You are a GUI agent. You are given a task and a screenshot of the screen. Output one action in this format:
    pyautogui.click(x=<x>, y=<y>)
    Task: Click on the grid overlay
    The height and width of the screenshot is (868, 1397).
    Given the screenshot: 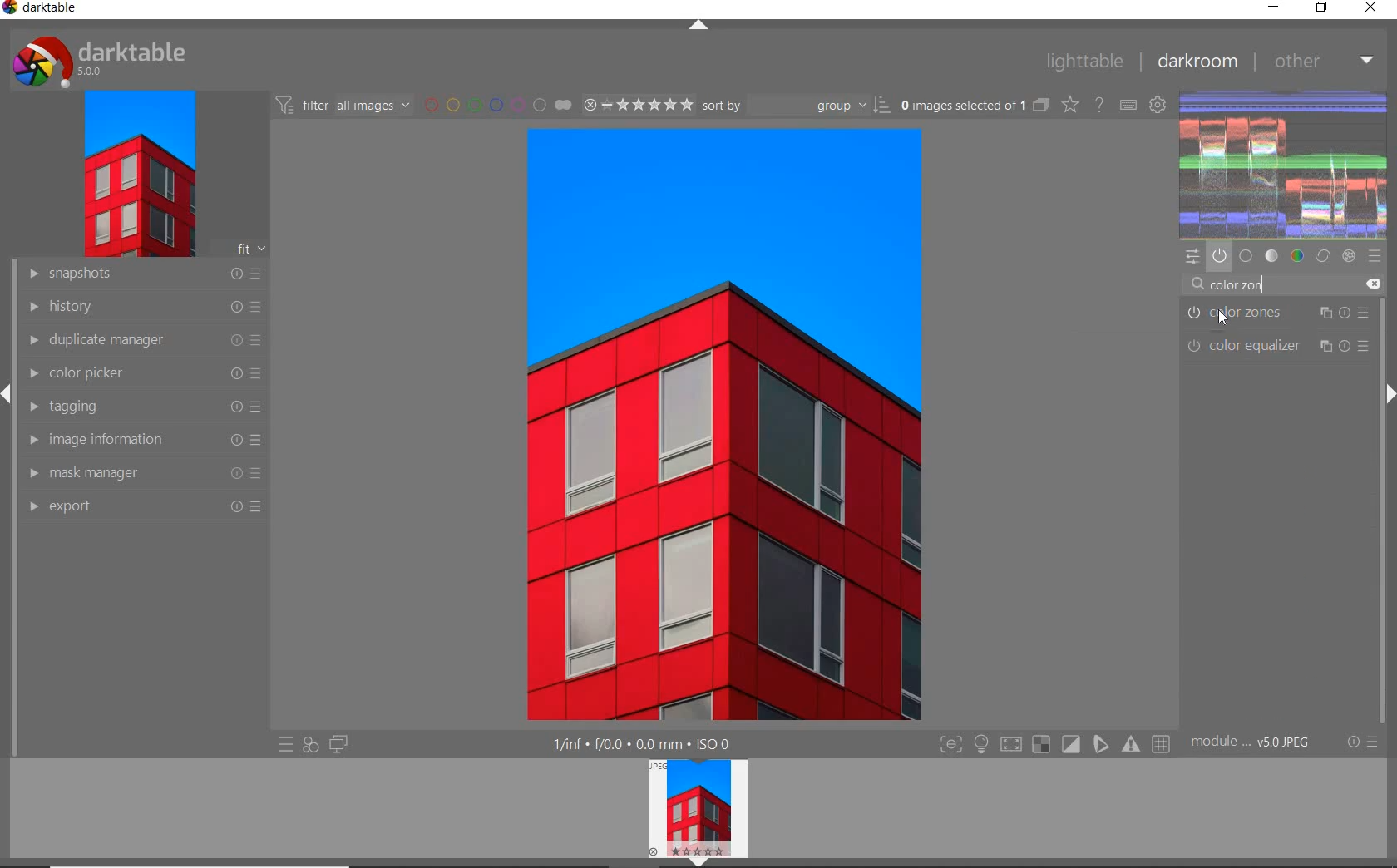 What is the action you would take?
    pyautogui.click(x=1162, y=742)
    